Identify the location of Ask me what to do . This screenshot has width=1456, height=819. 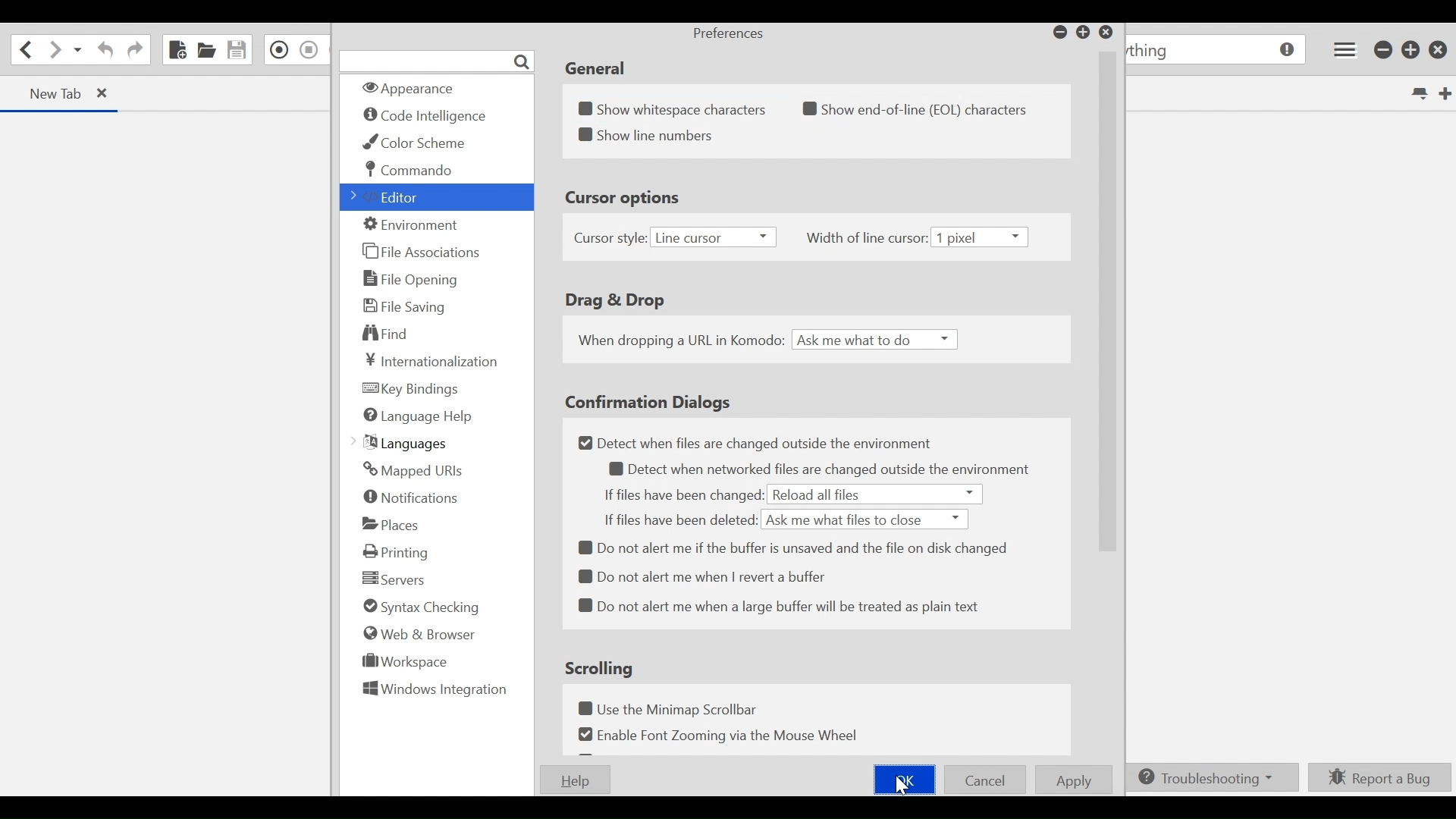
(877, 340).